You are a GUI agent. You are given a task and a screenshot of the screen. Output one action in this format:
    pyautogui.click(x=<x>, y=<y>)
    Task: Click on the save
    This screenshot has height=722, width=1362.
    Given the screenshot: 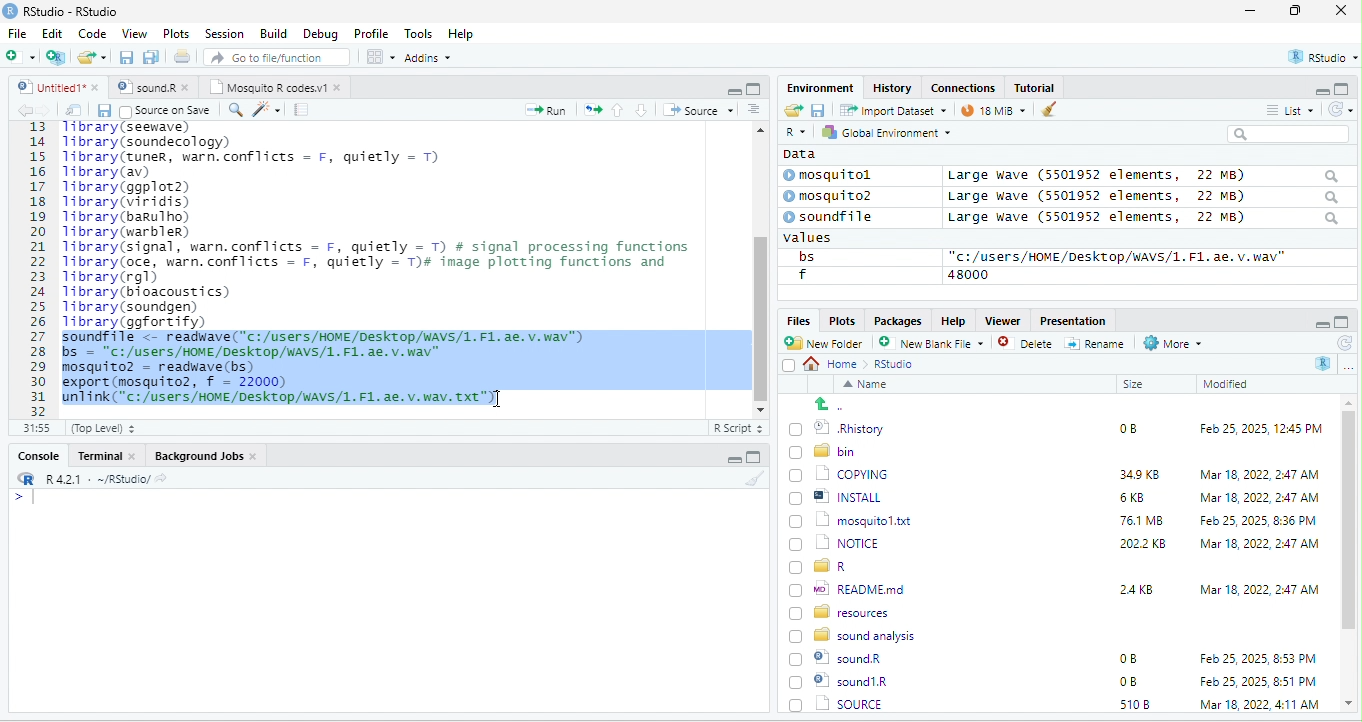 What is the action you would take?
    pyautogui.click(x=817, y=109)
    